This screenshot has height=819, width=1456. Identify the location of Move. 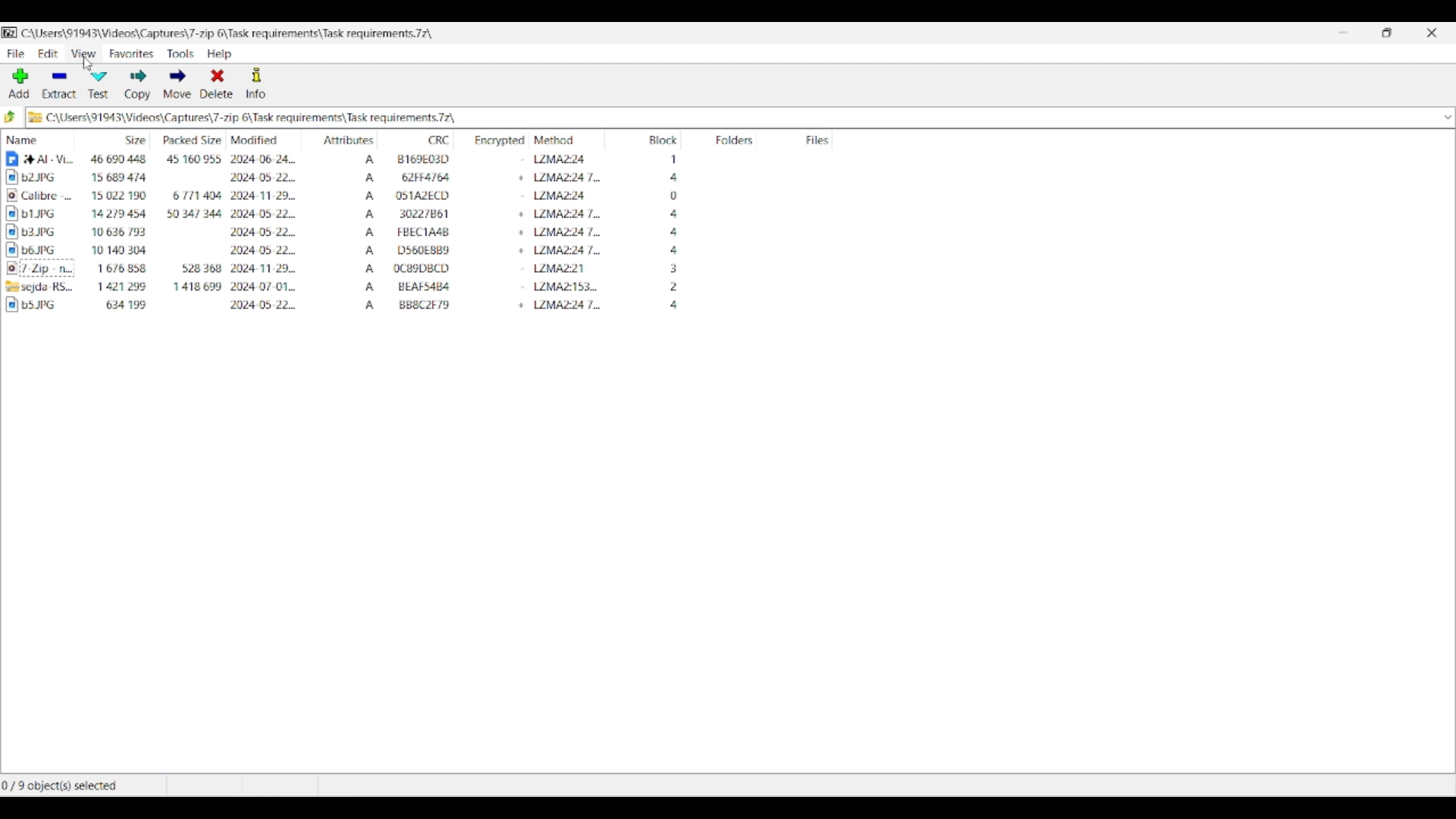
(177, 83).